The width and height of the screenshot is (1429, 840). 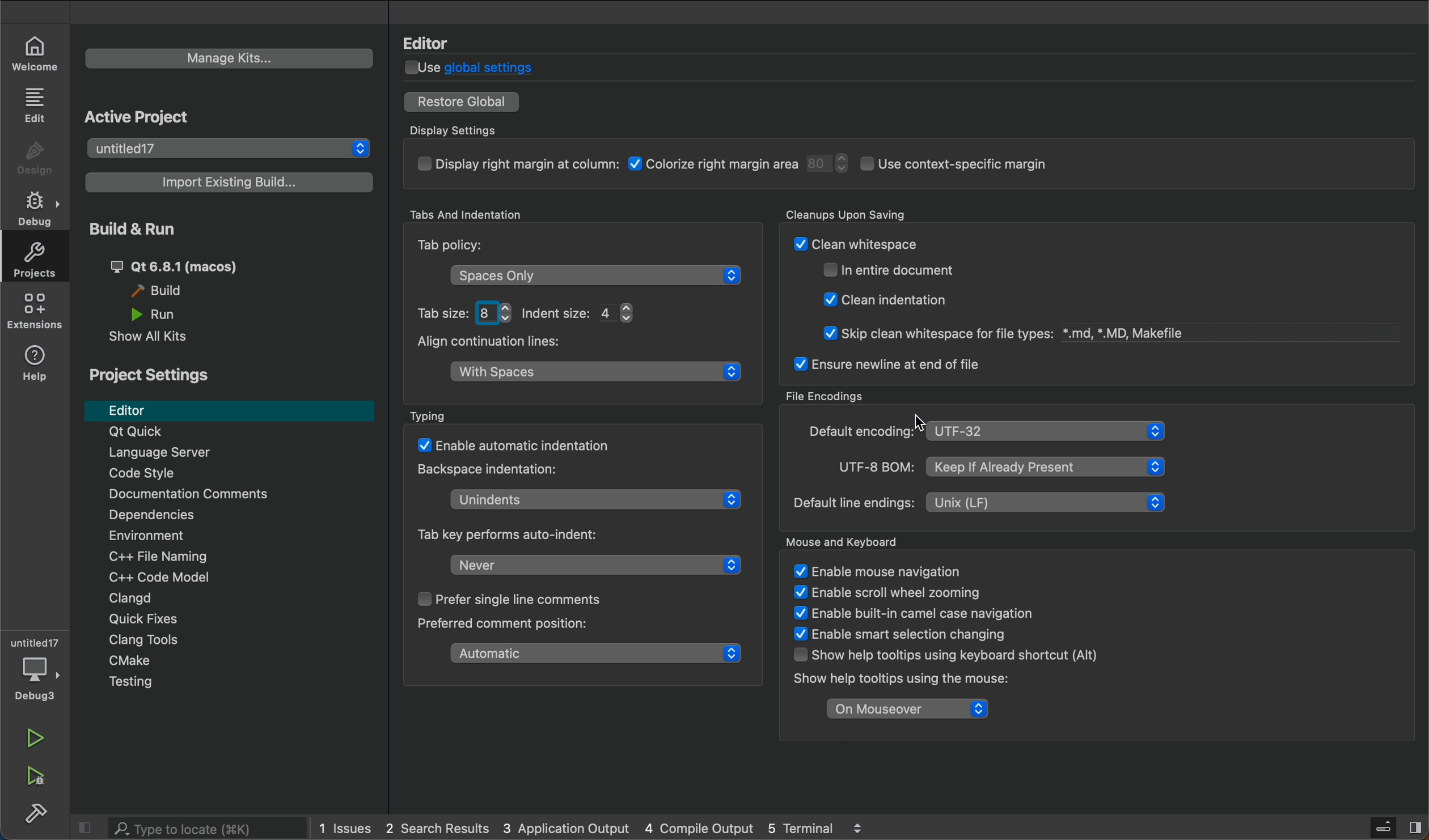 I want to click on existing builds, so click(x=225, y=181).